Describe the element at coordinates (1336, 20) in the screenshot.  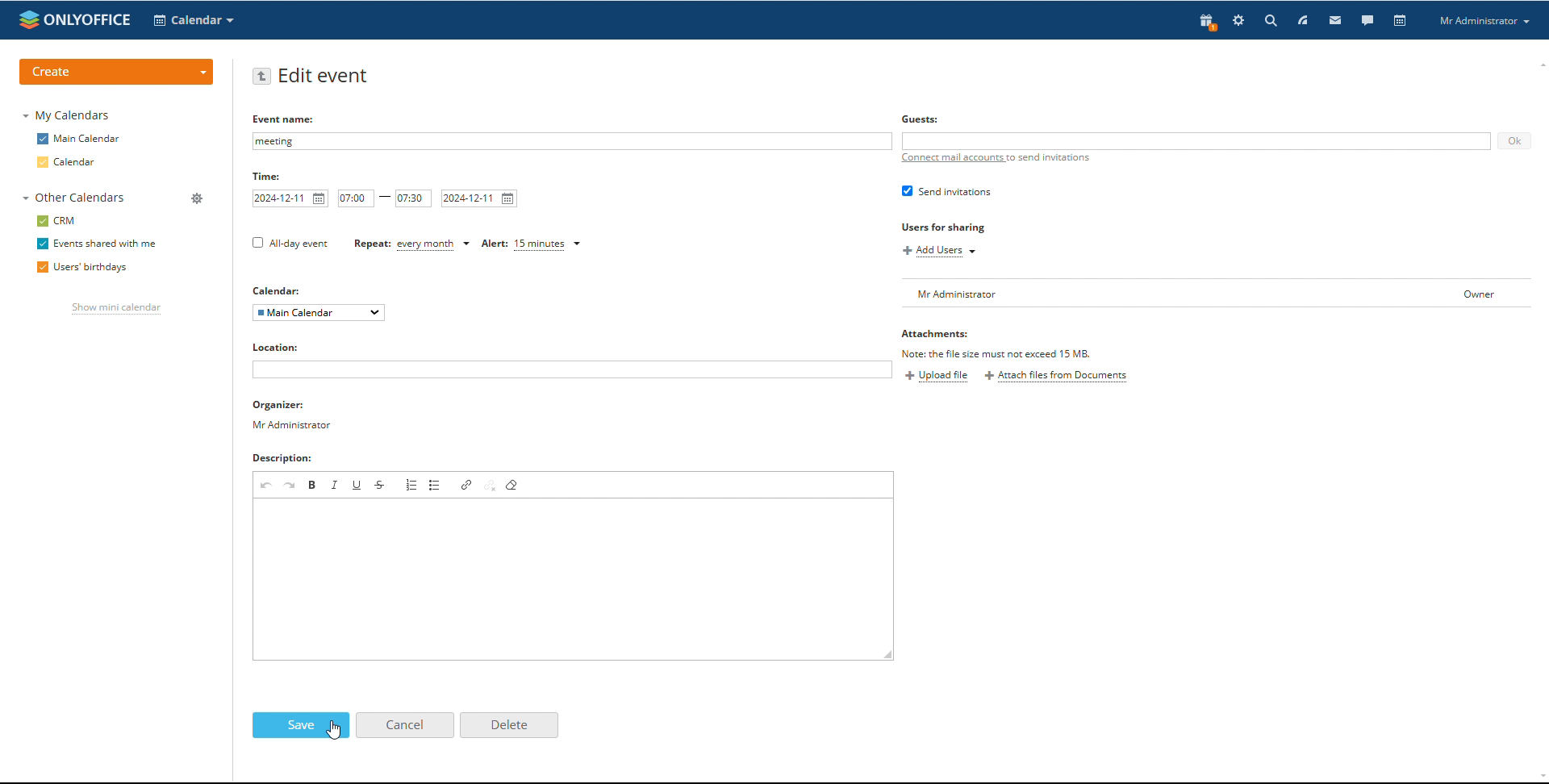
I see `mail` at that location.